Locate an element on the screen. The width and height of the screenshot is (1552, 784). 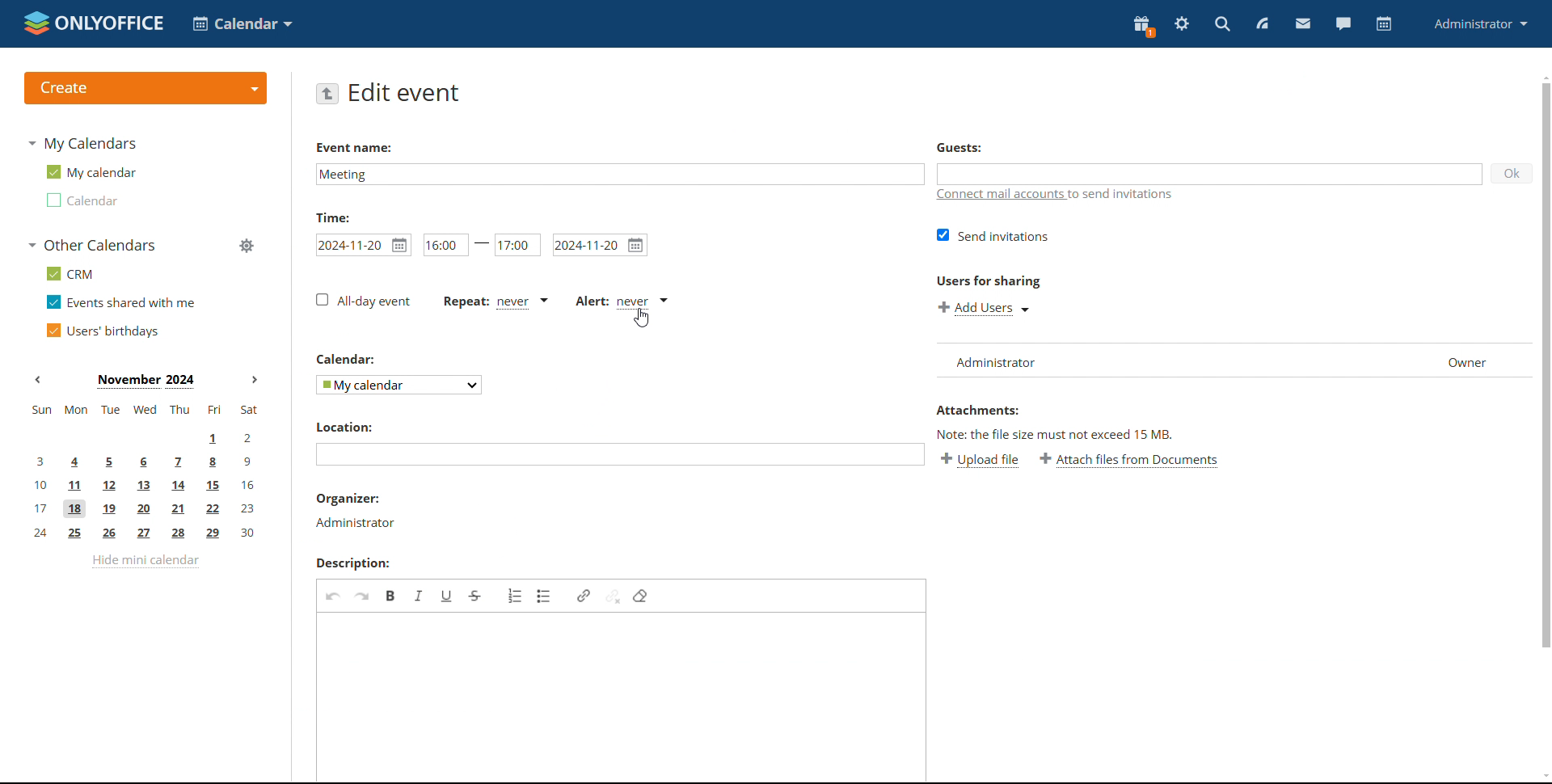
users' birthdays  is located at coordinates (102, 331).